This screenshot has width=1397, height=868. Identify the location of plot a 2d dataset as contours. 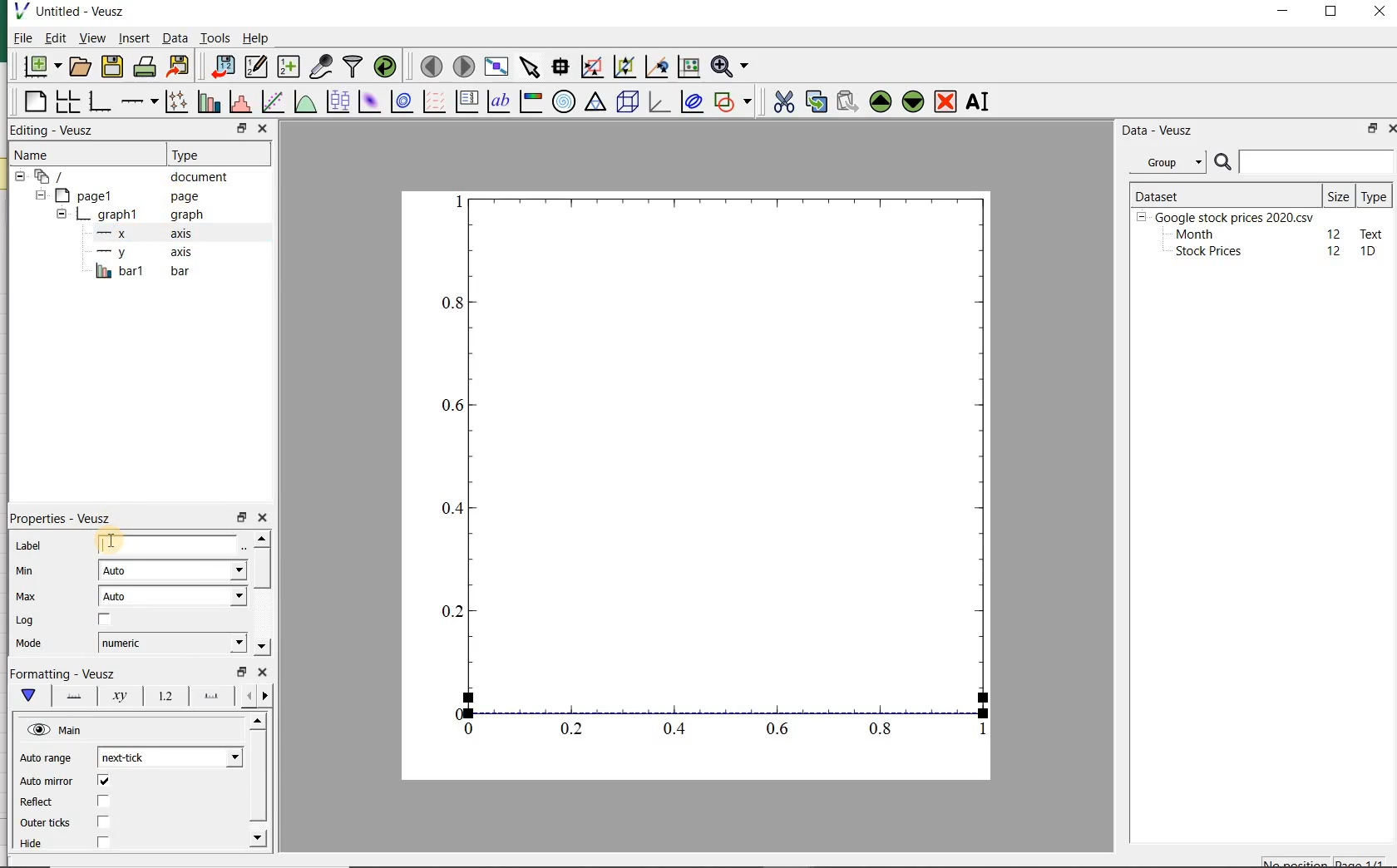
(399, 103).